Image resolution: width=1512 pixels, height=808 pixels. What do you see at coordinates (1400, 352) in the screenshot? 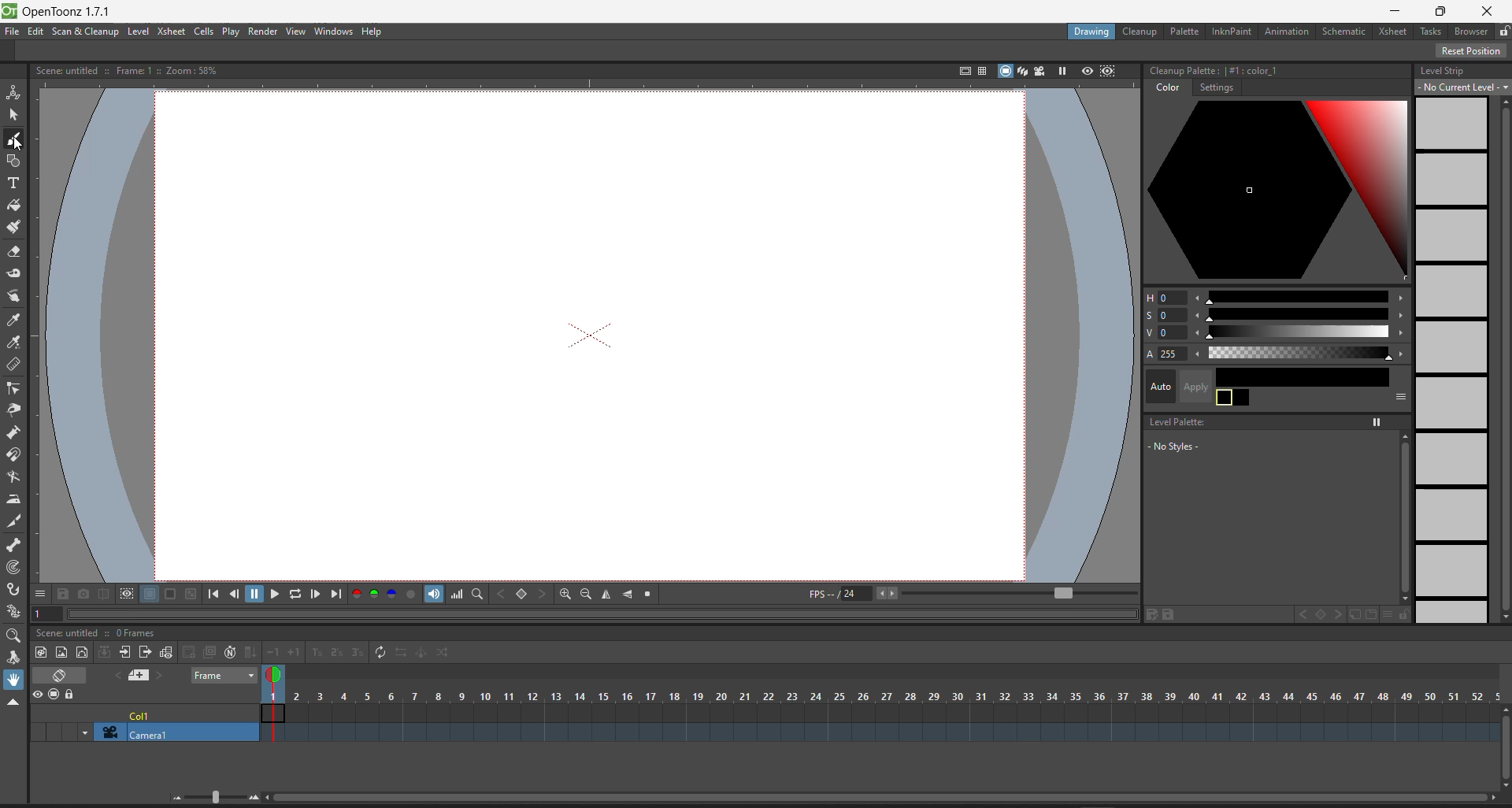
I see `move right` at bounding box center [1400, 352].